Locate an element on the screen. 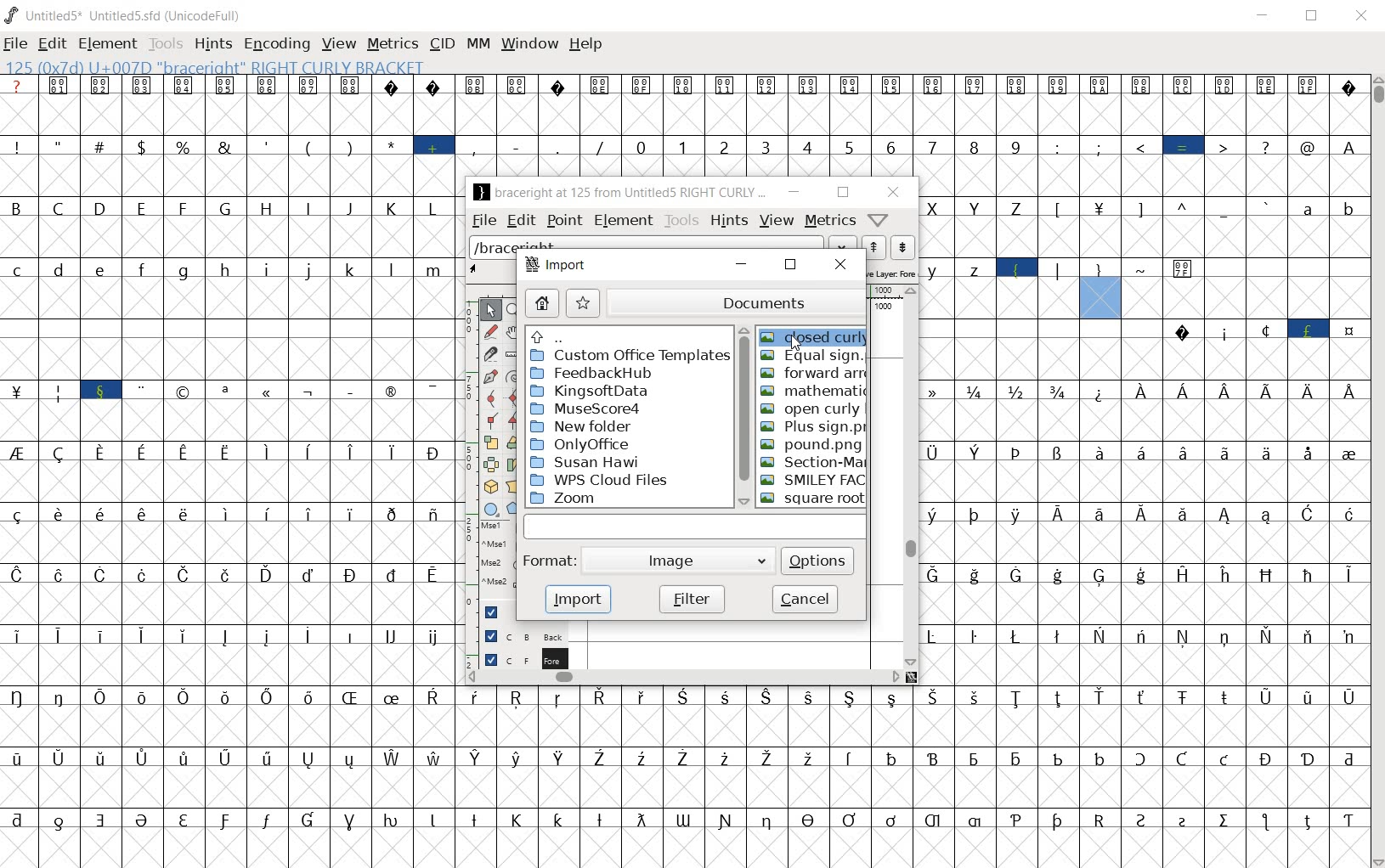 This screenshot has width=1385, height=868. hints is located at coordinates (728, 221).